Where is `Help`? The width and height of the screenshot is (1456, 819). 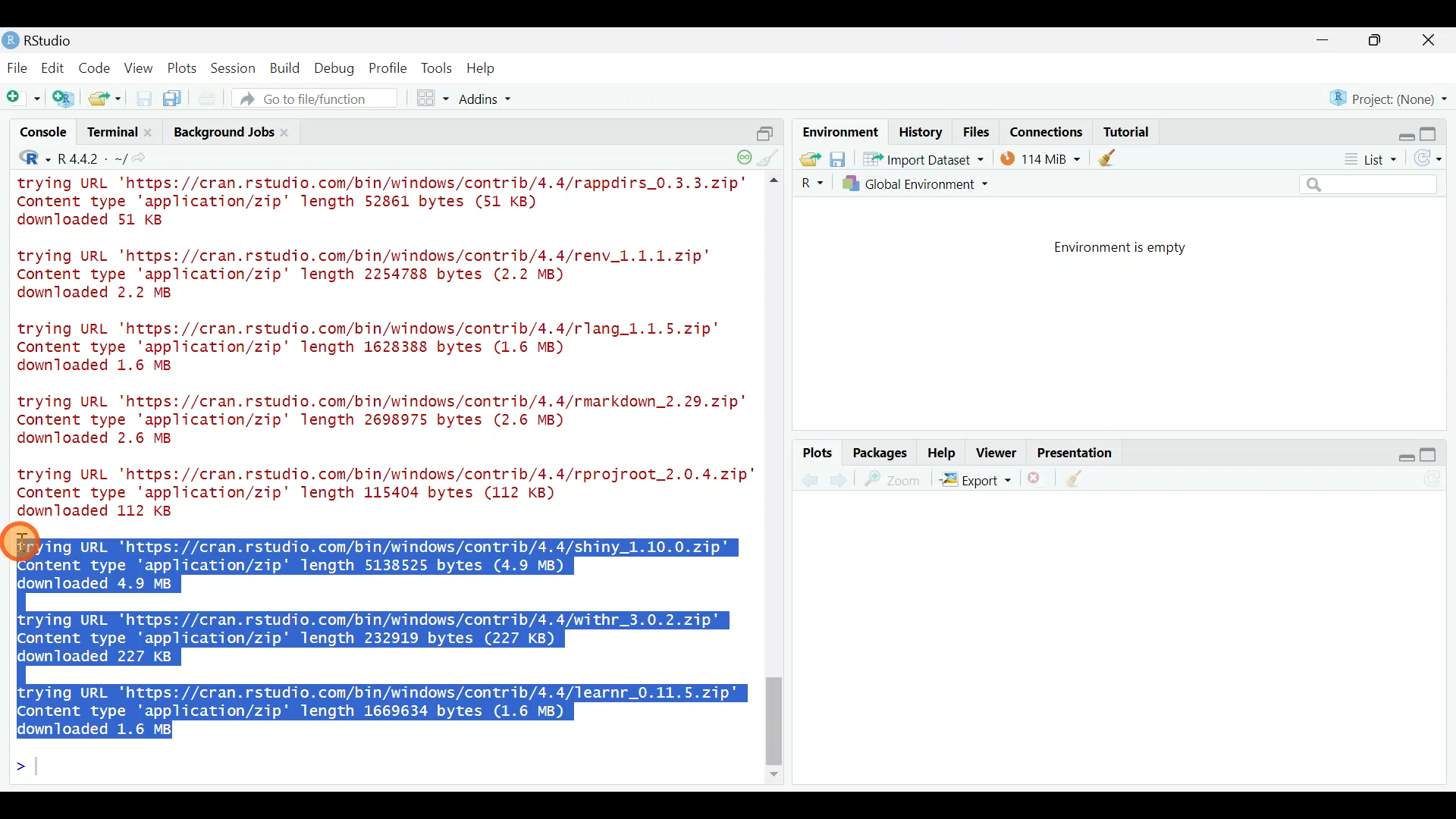 Help is located at coordinates (943, 451).